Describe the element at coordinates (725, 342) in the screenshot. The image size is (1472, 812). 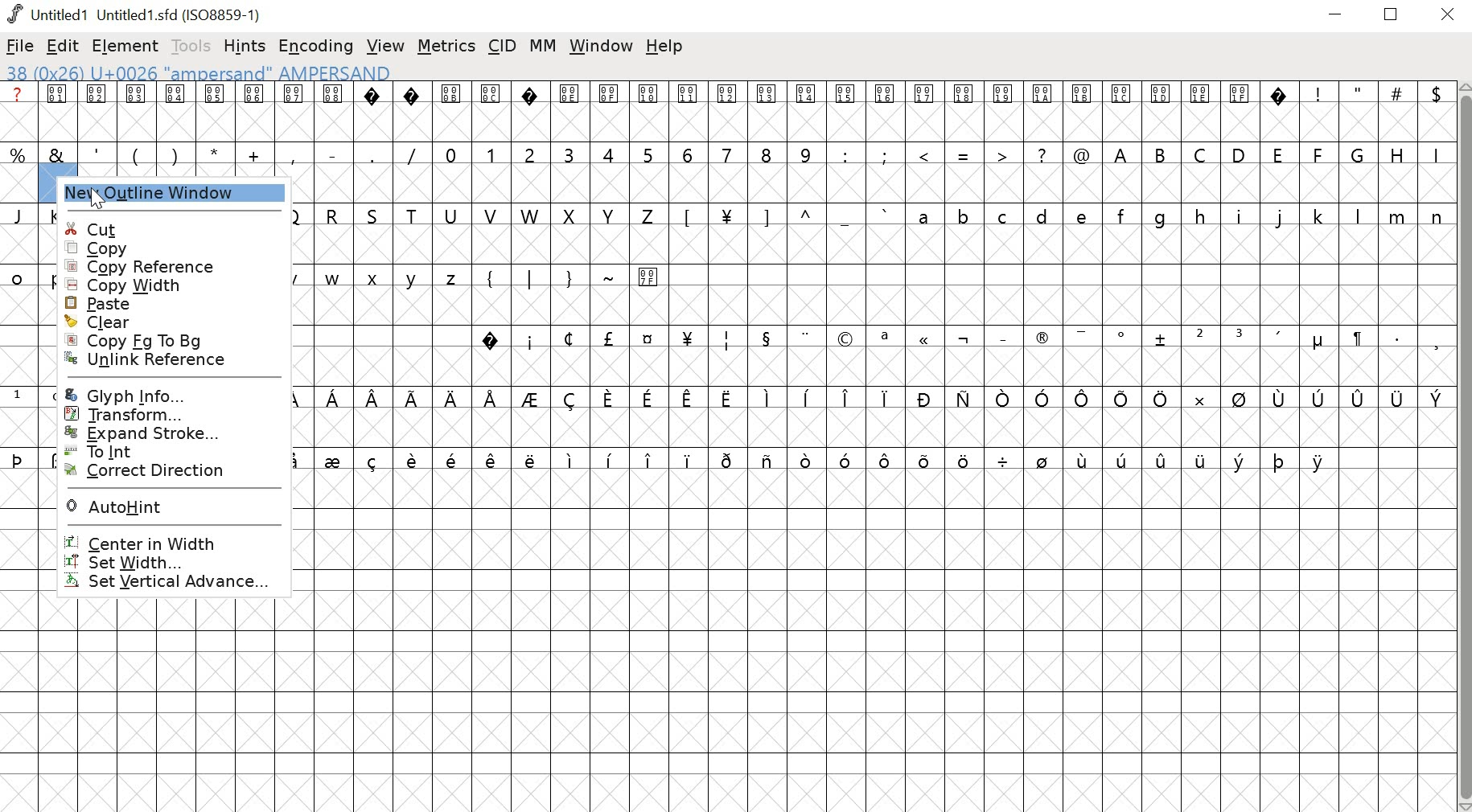
I see `symbol` at that location.